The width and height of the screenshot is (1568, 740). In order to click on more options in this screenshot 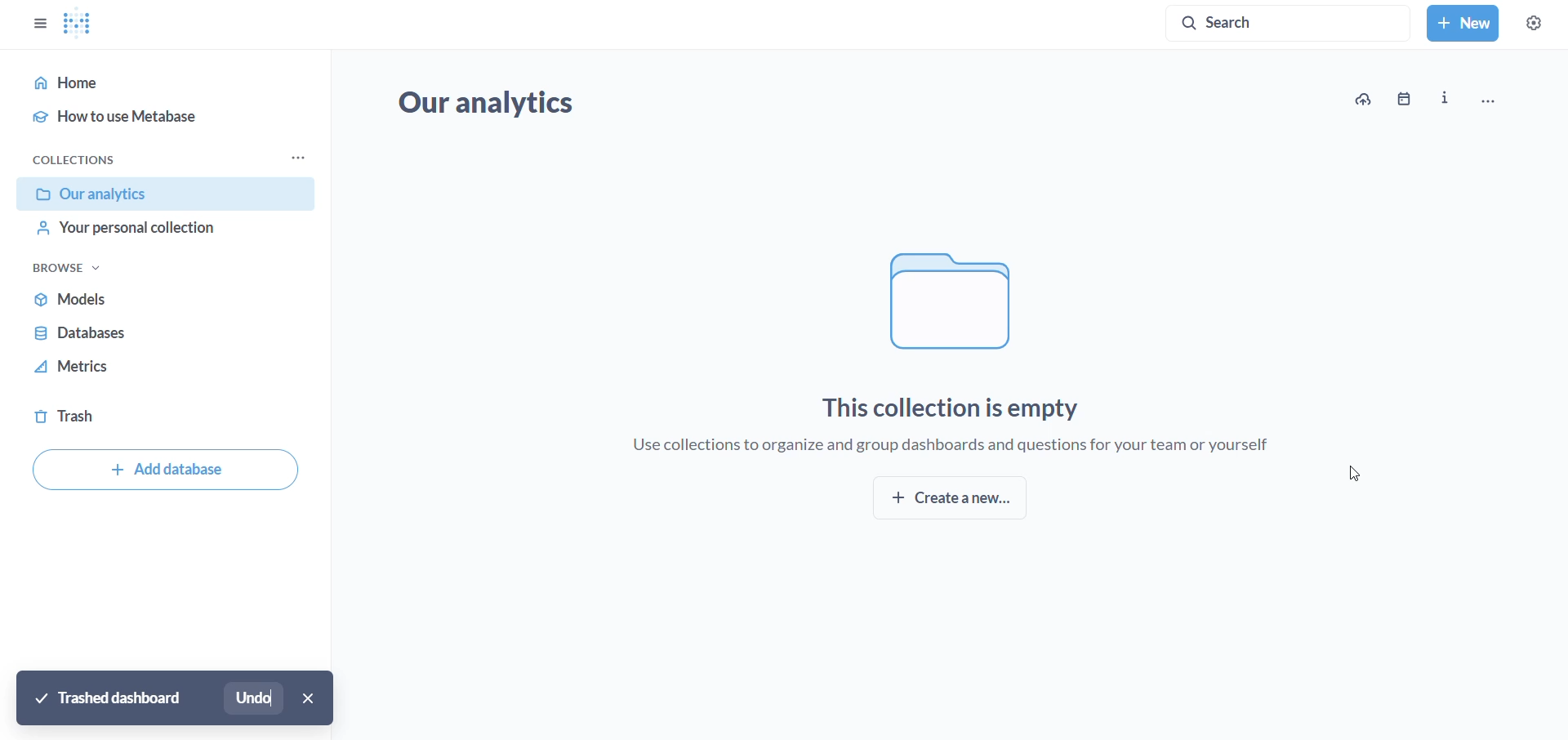, I will do `click(1499, 96)`.